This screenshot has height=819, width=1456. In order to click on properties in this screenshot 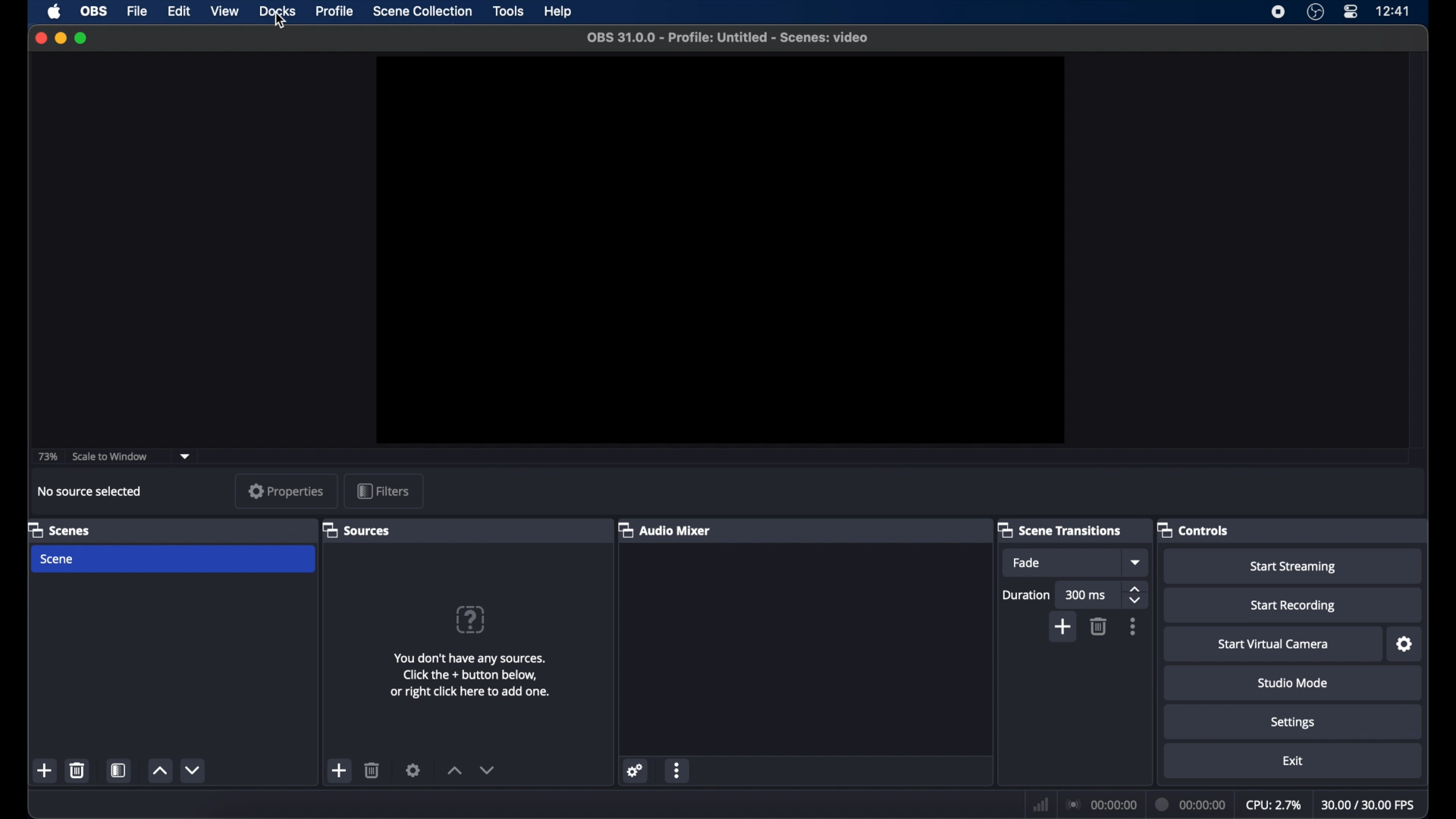, I will do `click(287, 491)`.